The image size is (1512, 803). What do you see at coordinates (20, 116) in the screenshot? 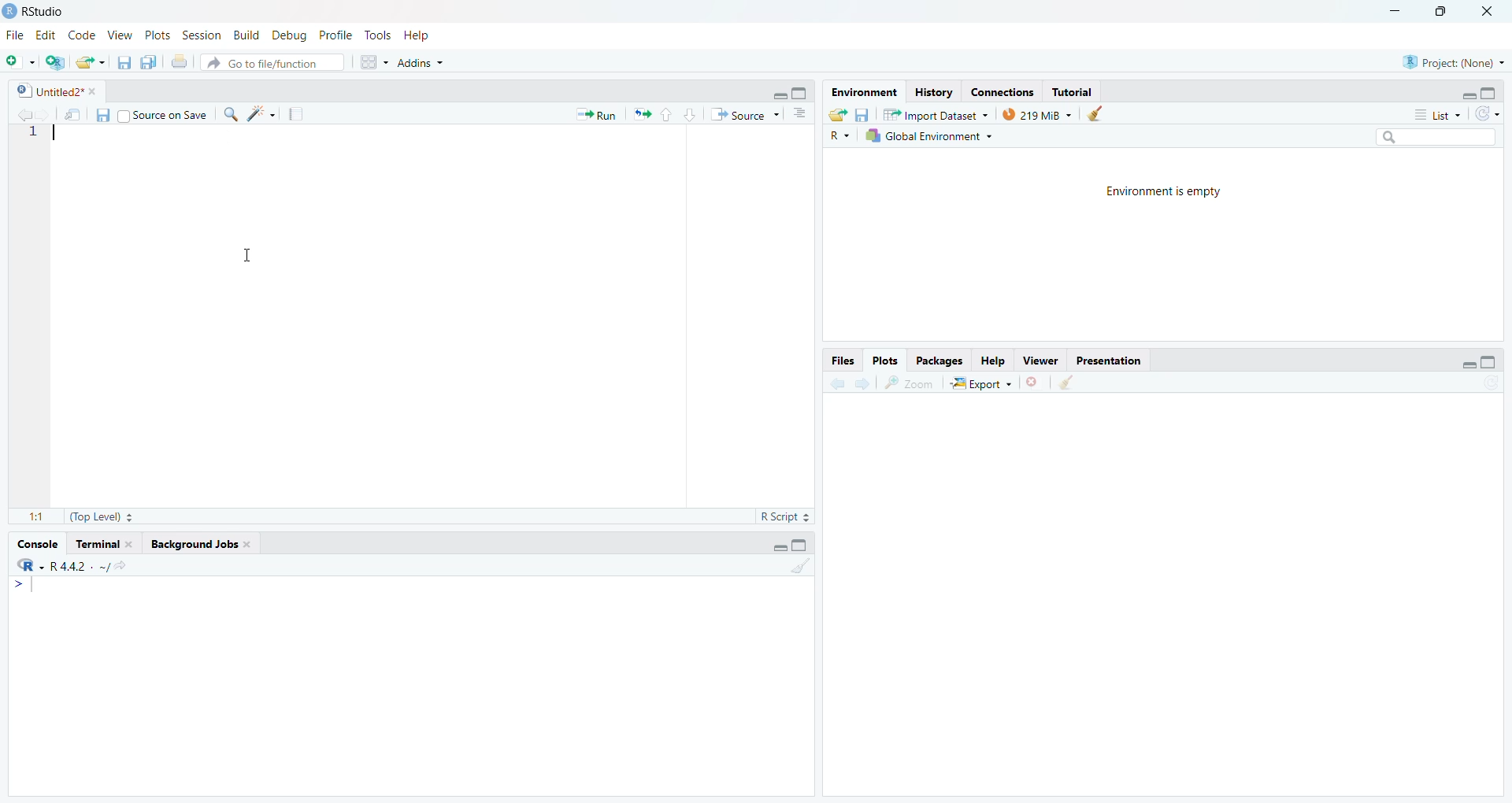
I see `Go to previous source location` at bounding box center [20, 116].